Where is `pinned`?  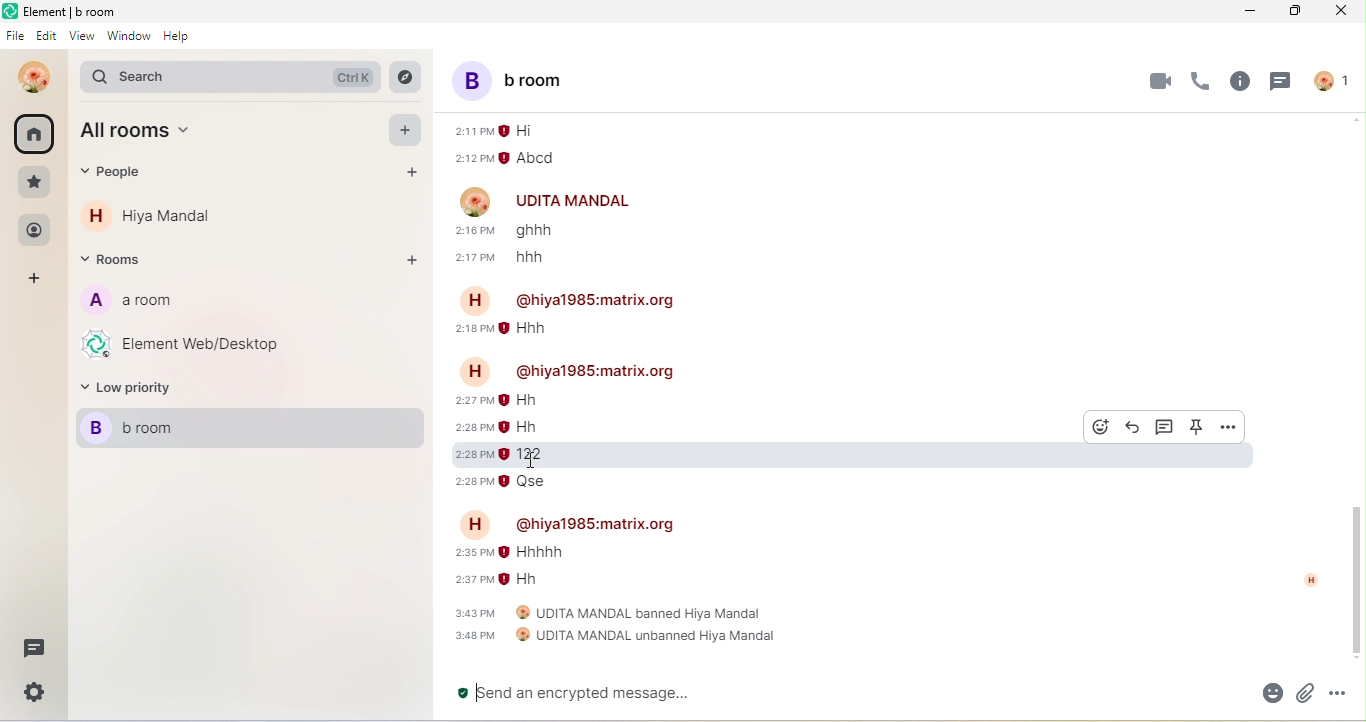 pinned is located at coordinates (1198, 427).